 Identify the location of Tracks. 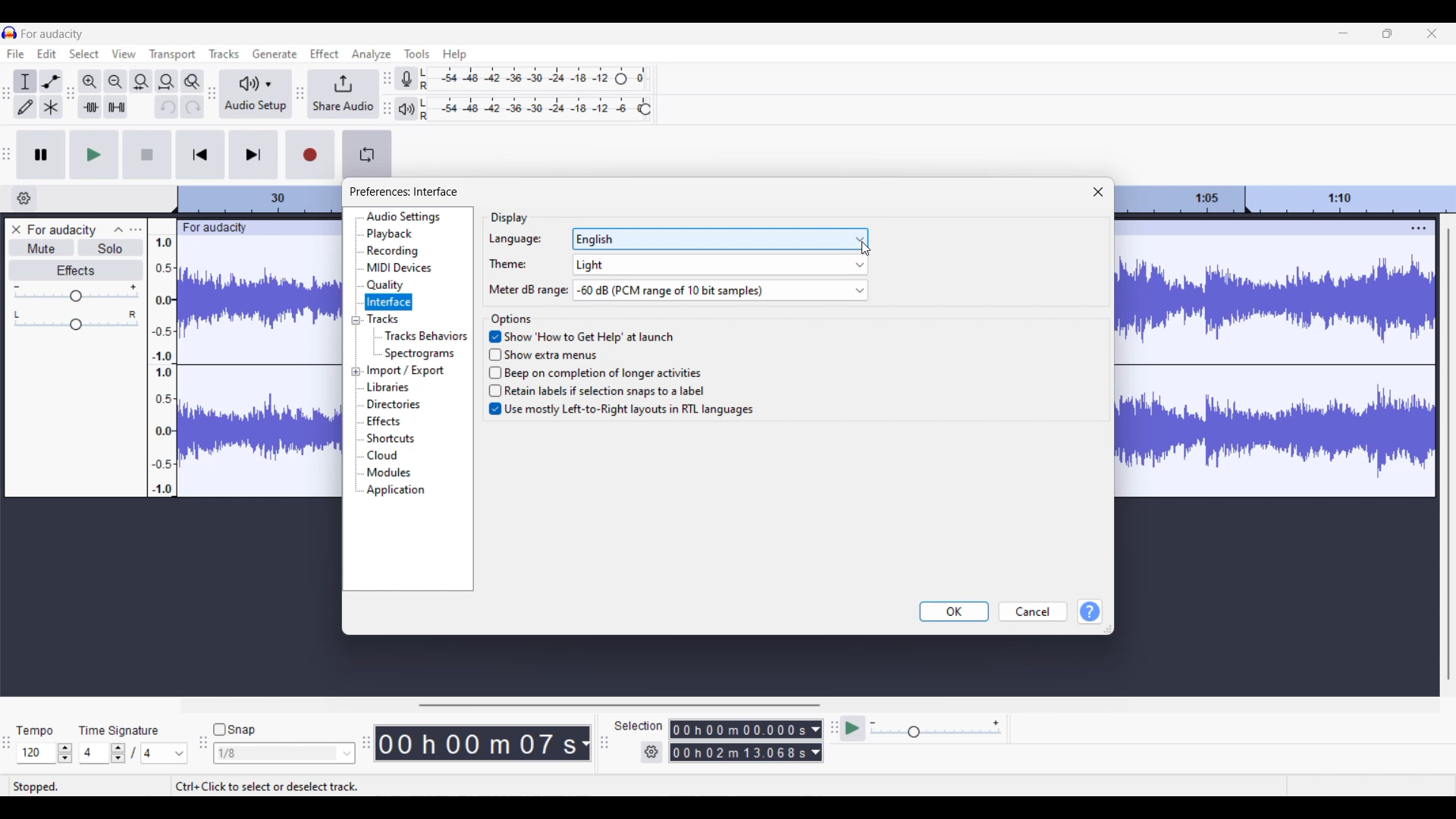
(382, 318).